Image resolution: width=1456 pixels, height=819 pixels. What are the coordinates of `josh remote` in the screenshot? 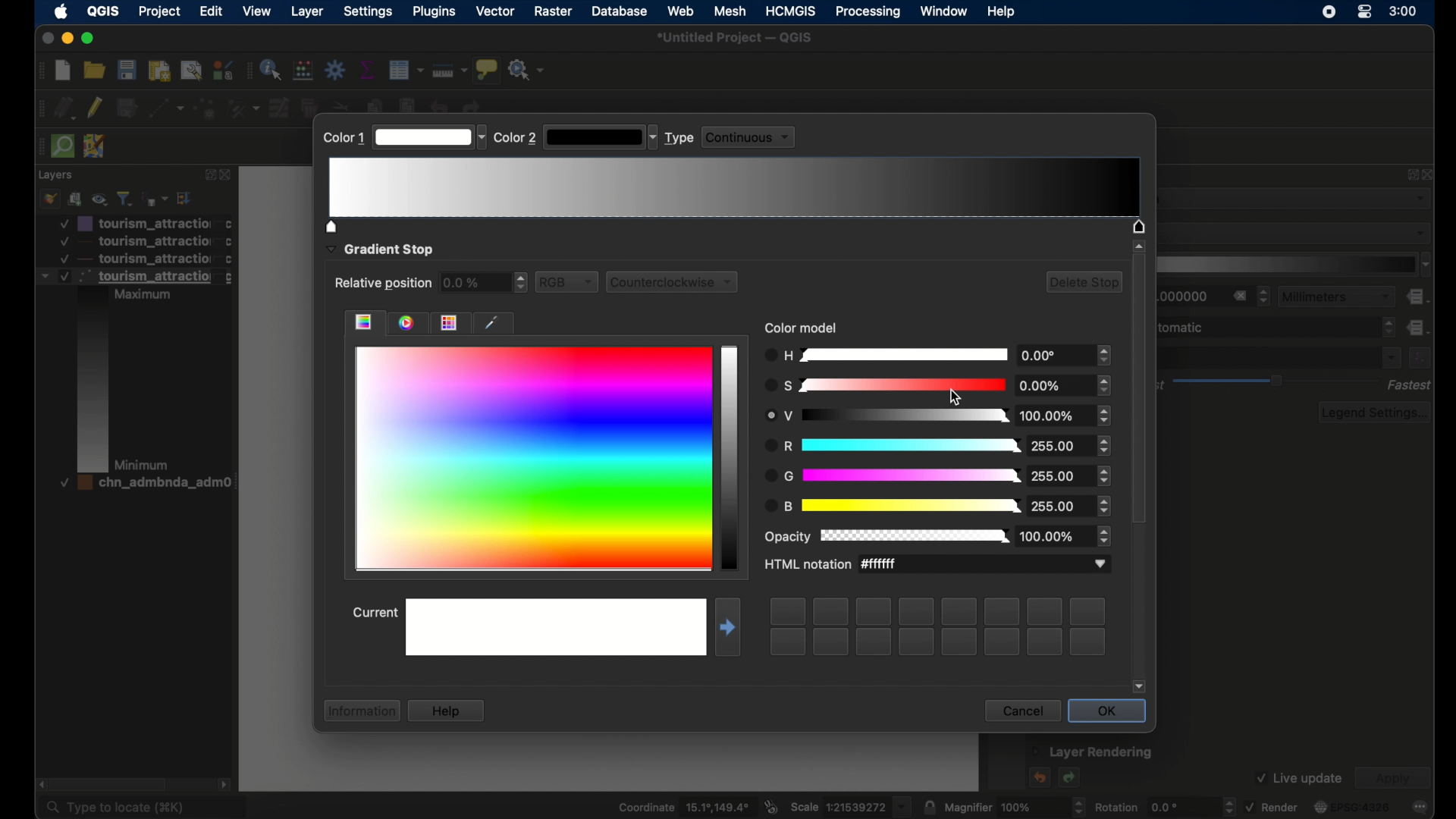 It's located at (96, 146).